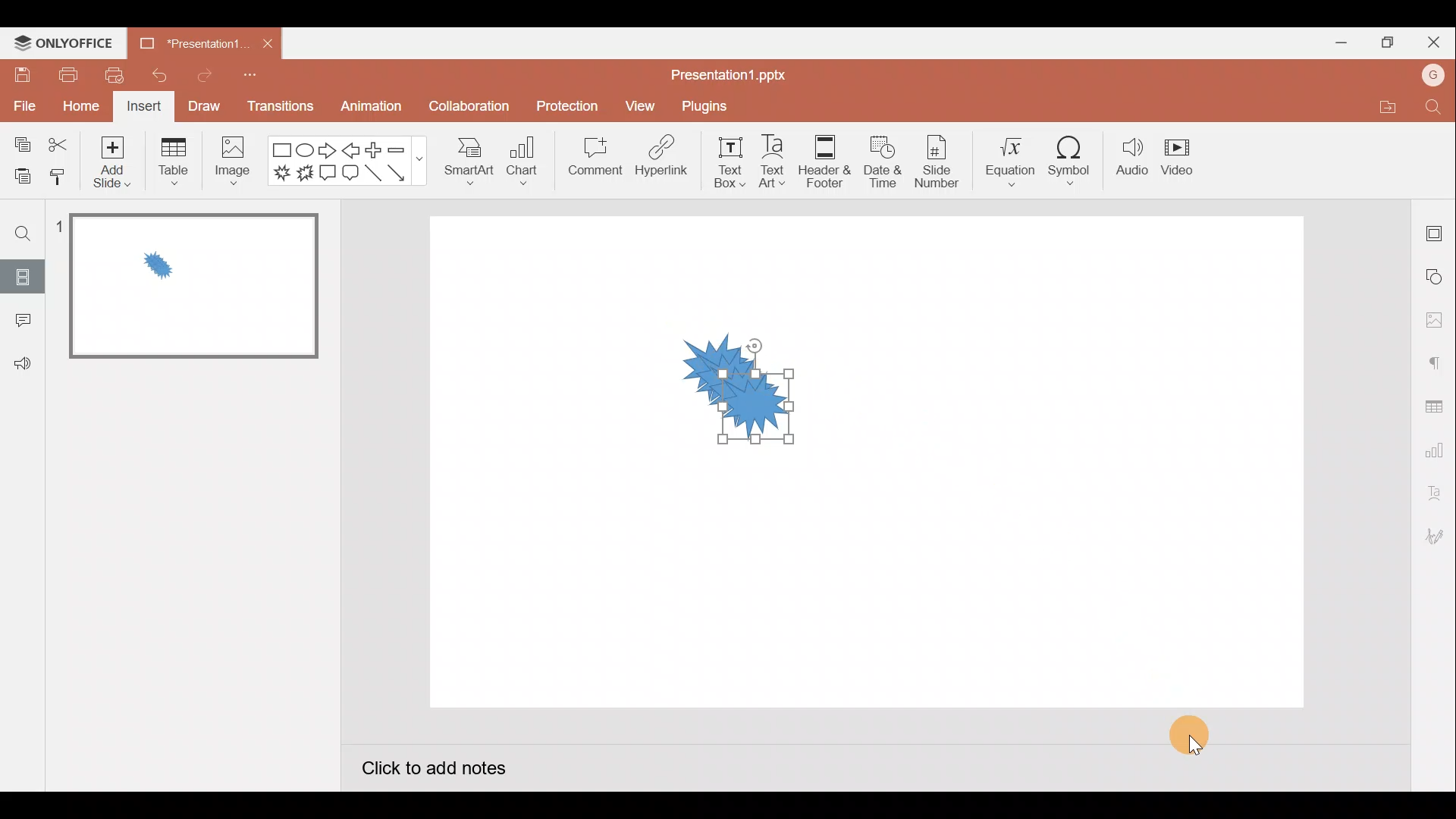 This screenshot has width=1456, height=819. What do you see at coordinates (401, 174) in the screenshot?
I see `Arrow` at bounding box center [401, 174].